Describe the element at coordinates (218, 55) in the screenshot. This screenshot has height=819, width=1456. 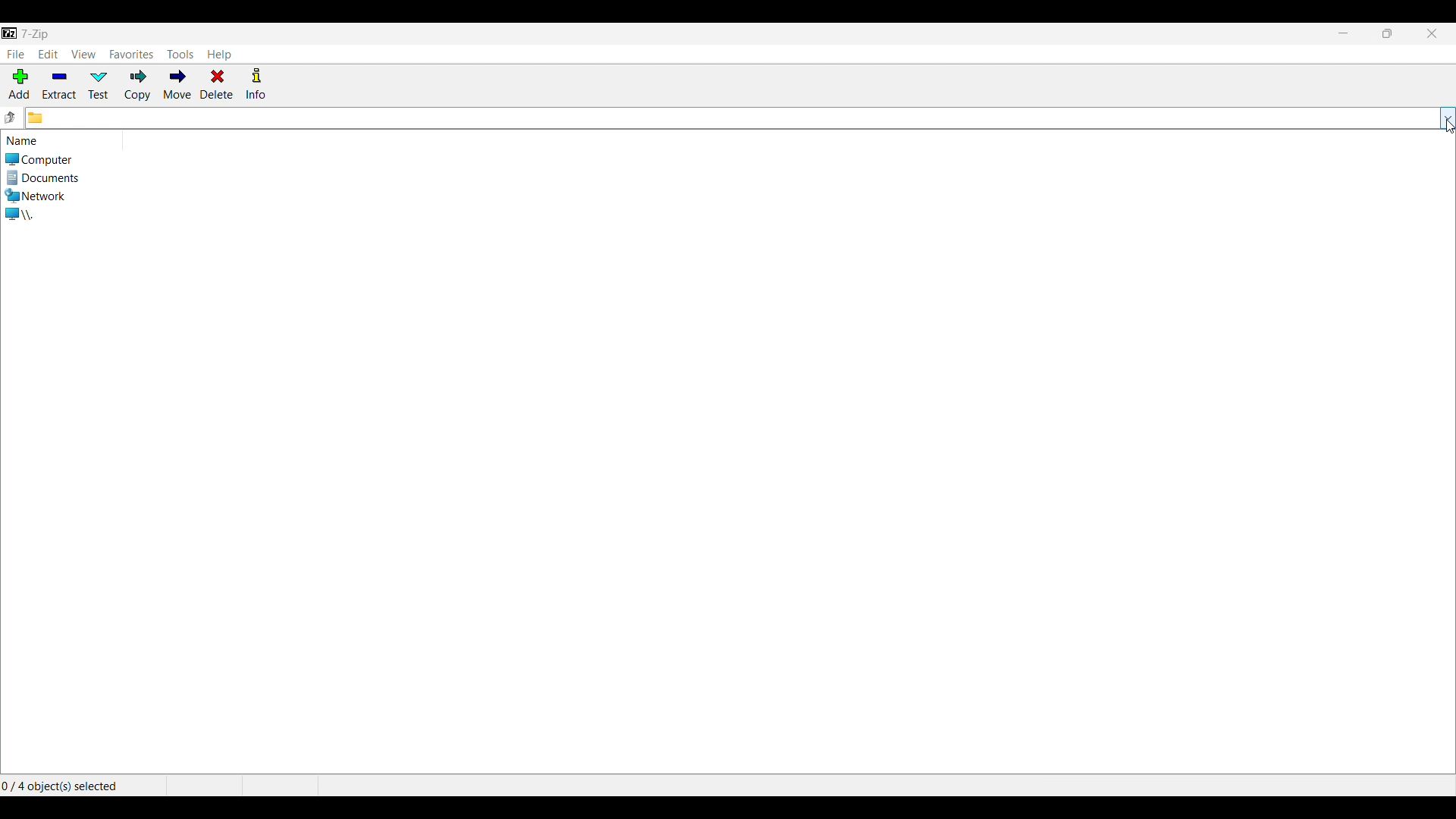
I see `Help menu` at that location.